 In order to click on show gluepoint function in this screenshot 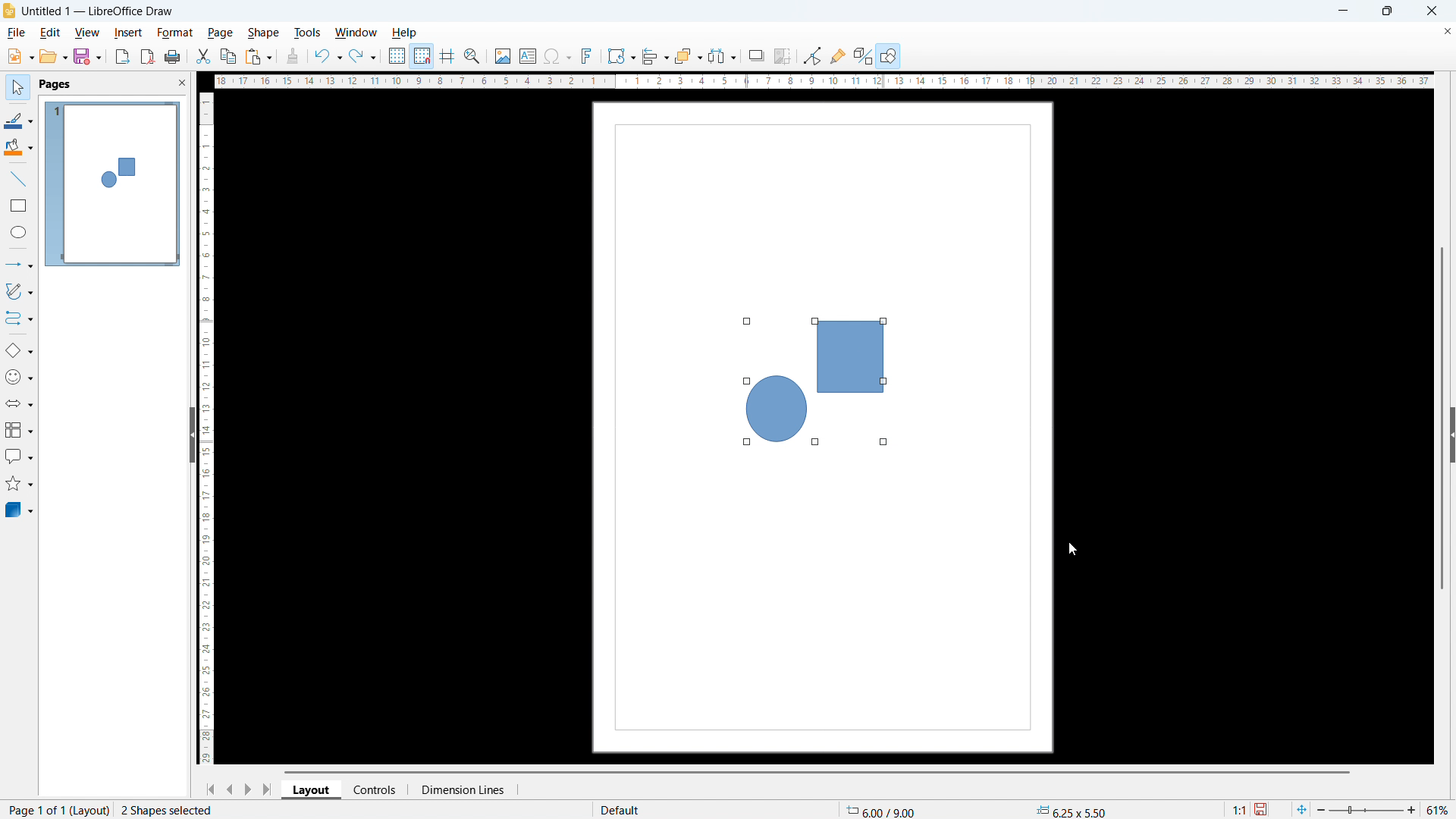, I will do `click(839, 55)`.